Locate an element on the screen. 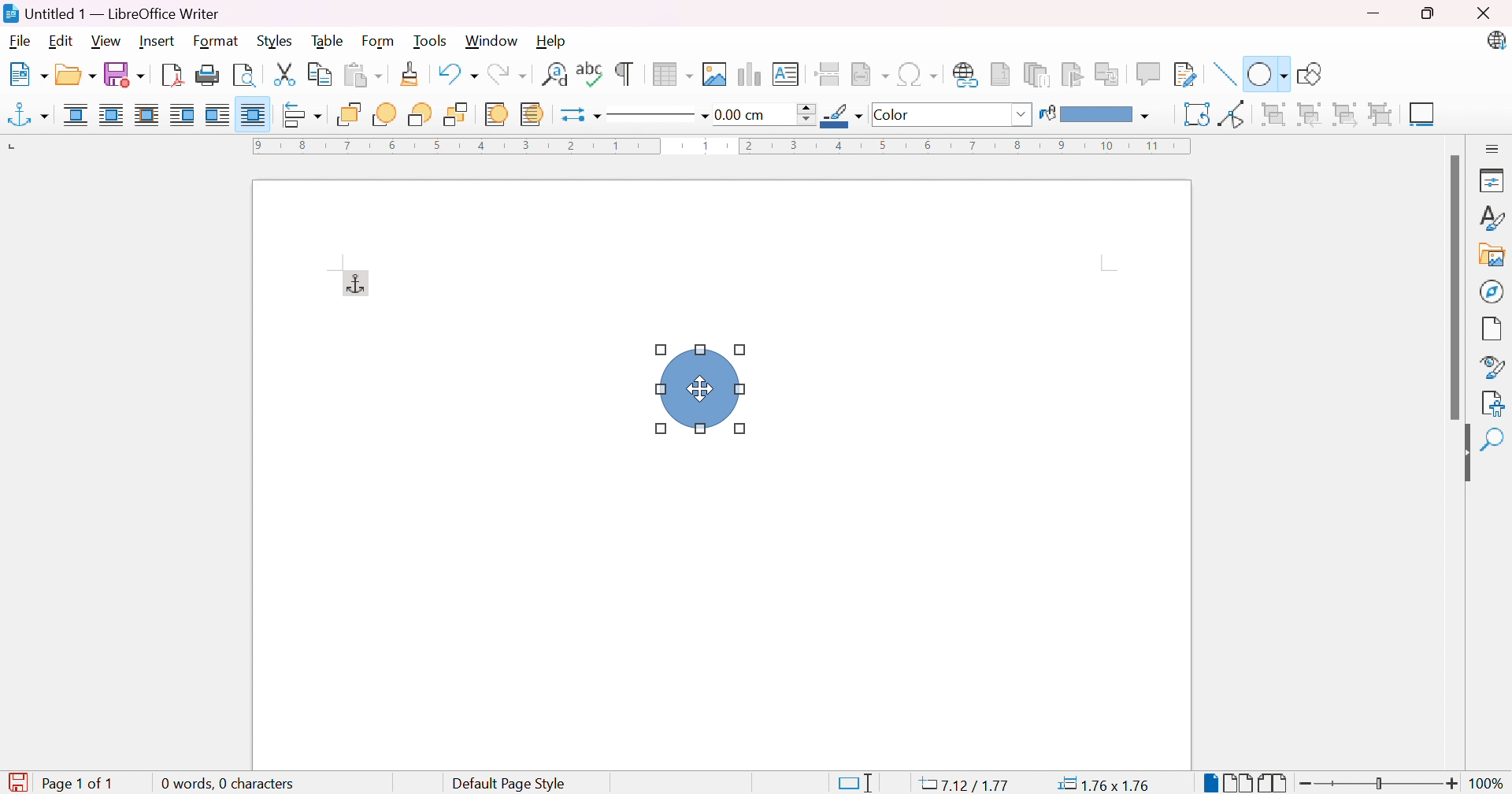  Rotate is located at coordinates (1195, 115).